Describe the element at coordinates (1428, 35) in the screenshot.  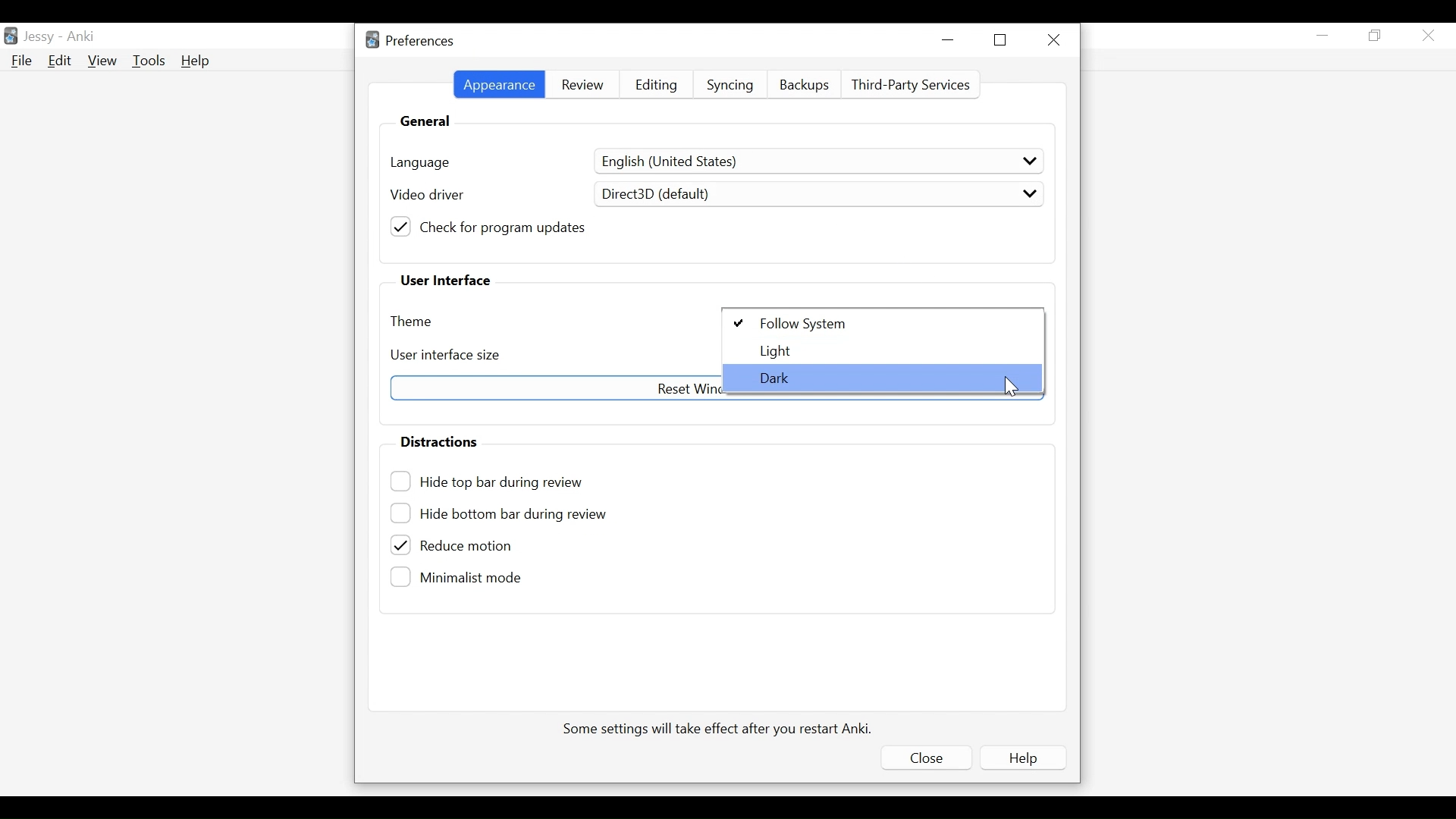
I see `Close` at that location.